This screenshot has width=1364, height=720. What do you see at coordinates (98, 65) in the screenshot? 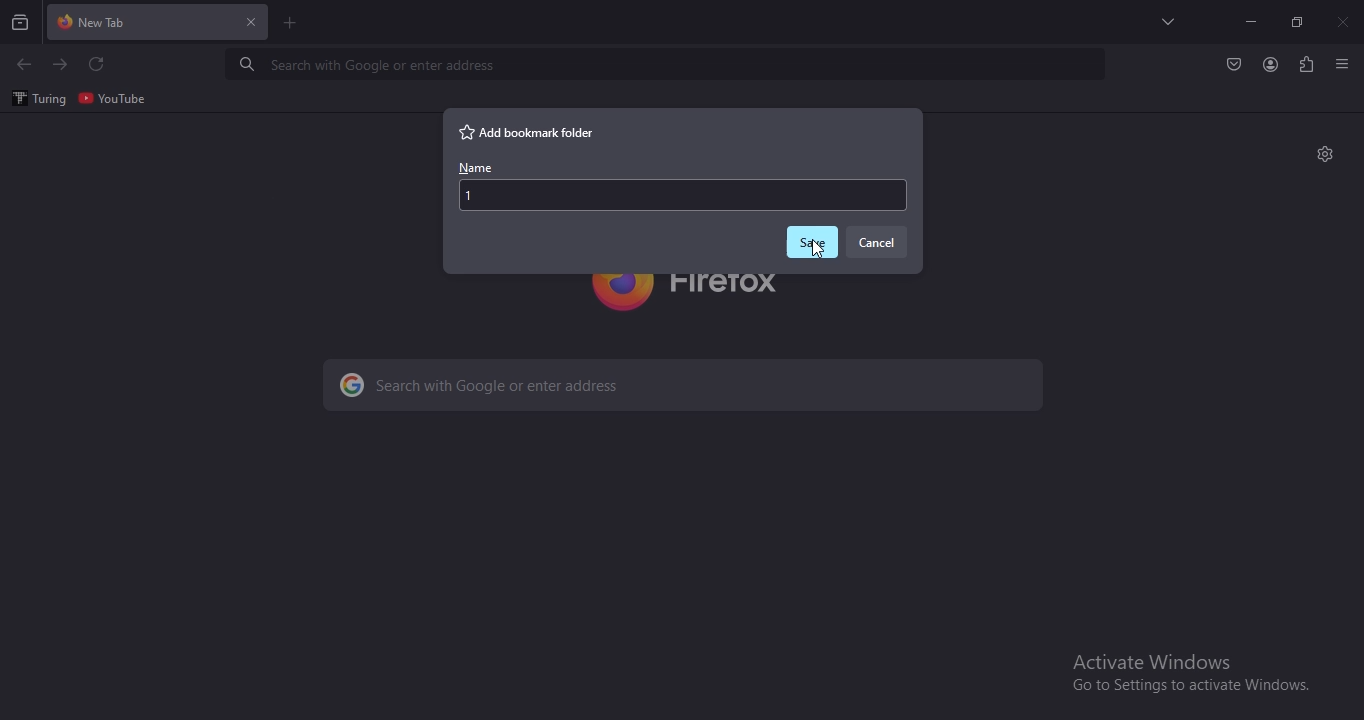
I see `refresh` at bounding box center [98, 65].